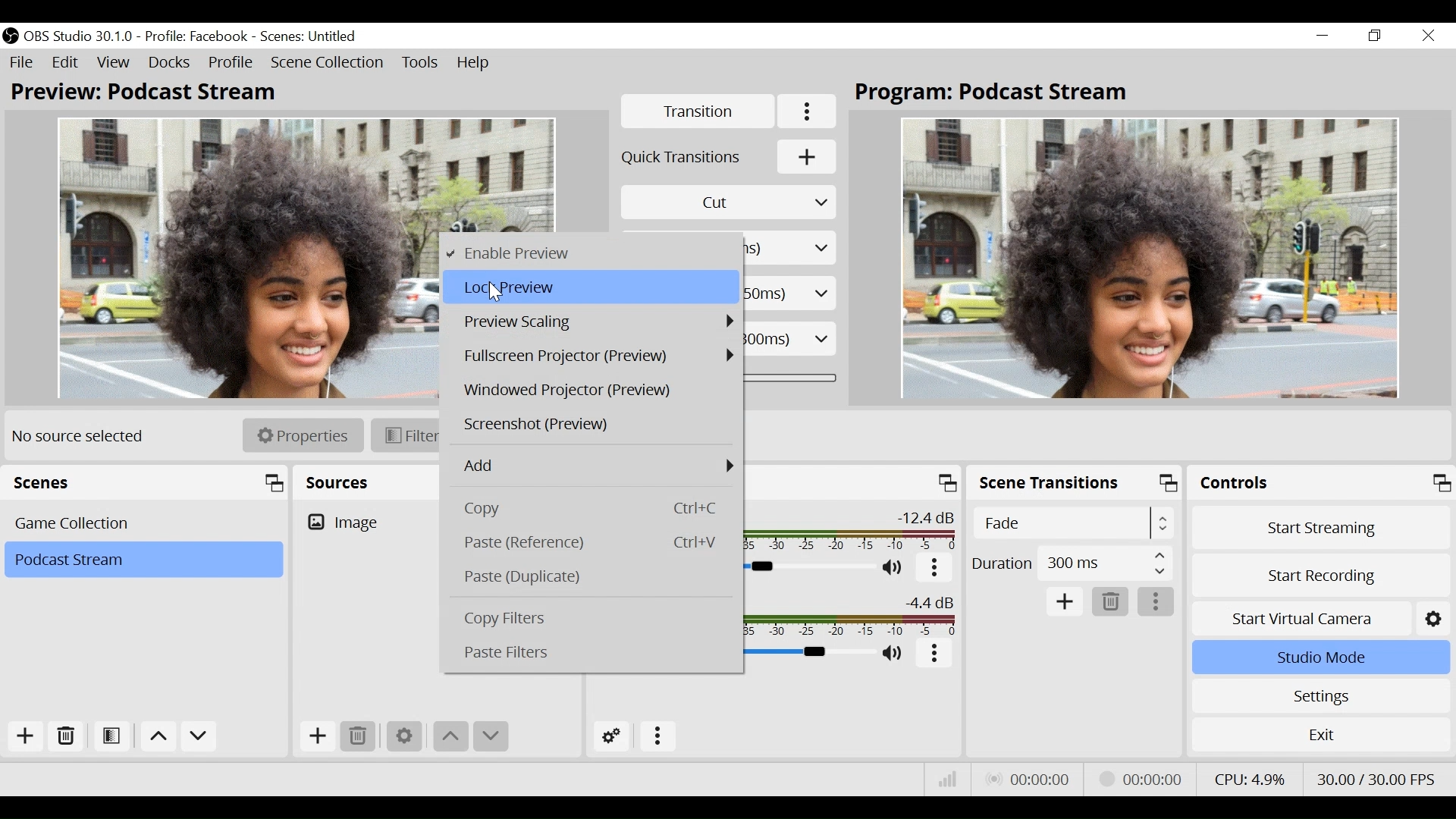  What do you see at coordinates (1426, 36) in the screenshot?
I see `Close` at bounding box center [1426, 36].